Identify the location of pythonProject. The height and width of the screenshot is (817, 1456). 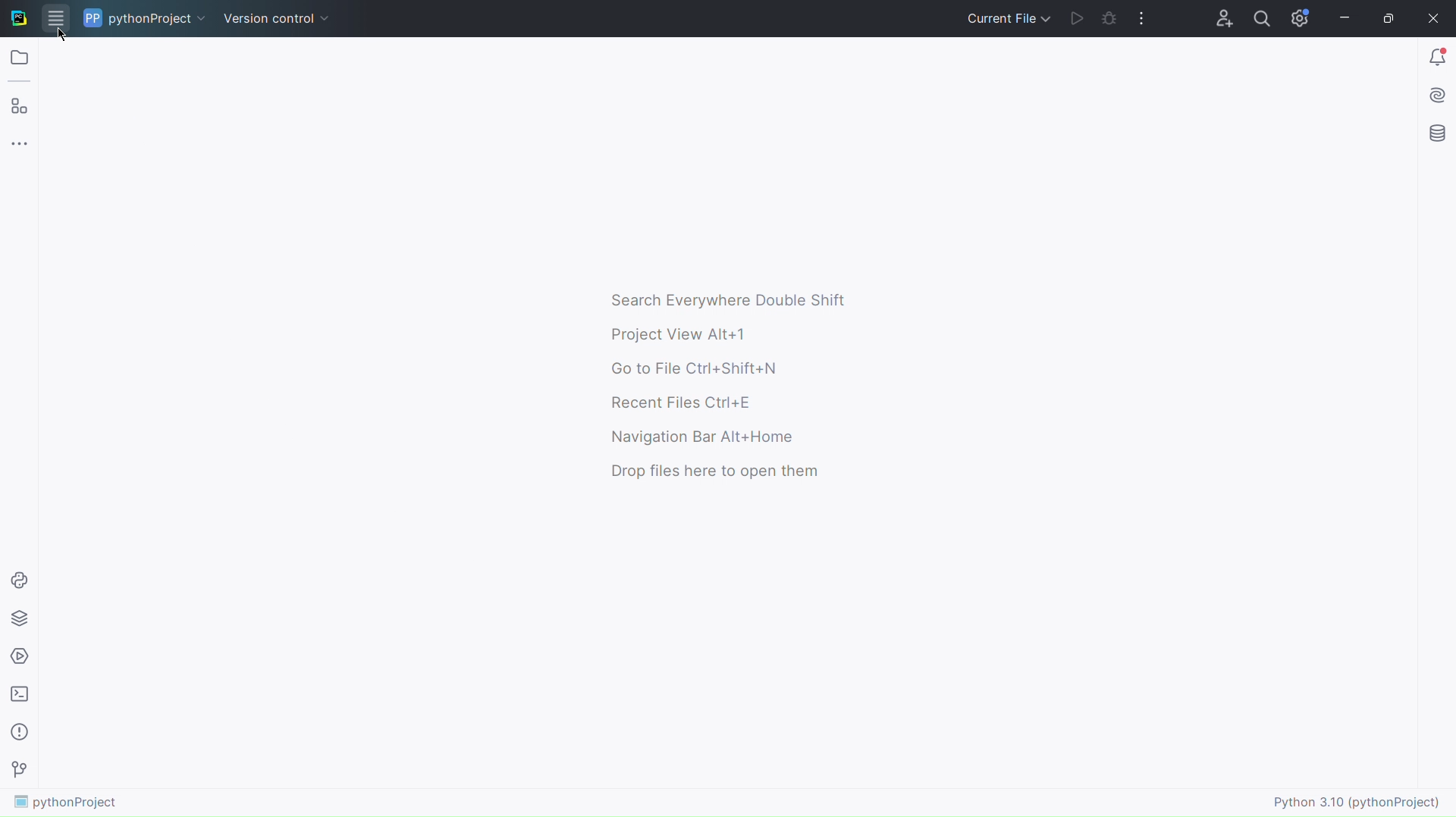
(63, 803).